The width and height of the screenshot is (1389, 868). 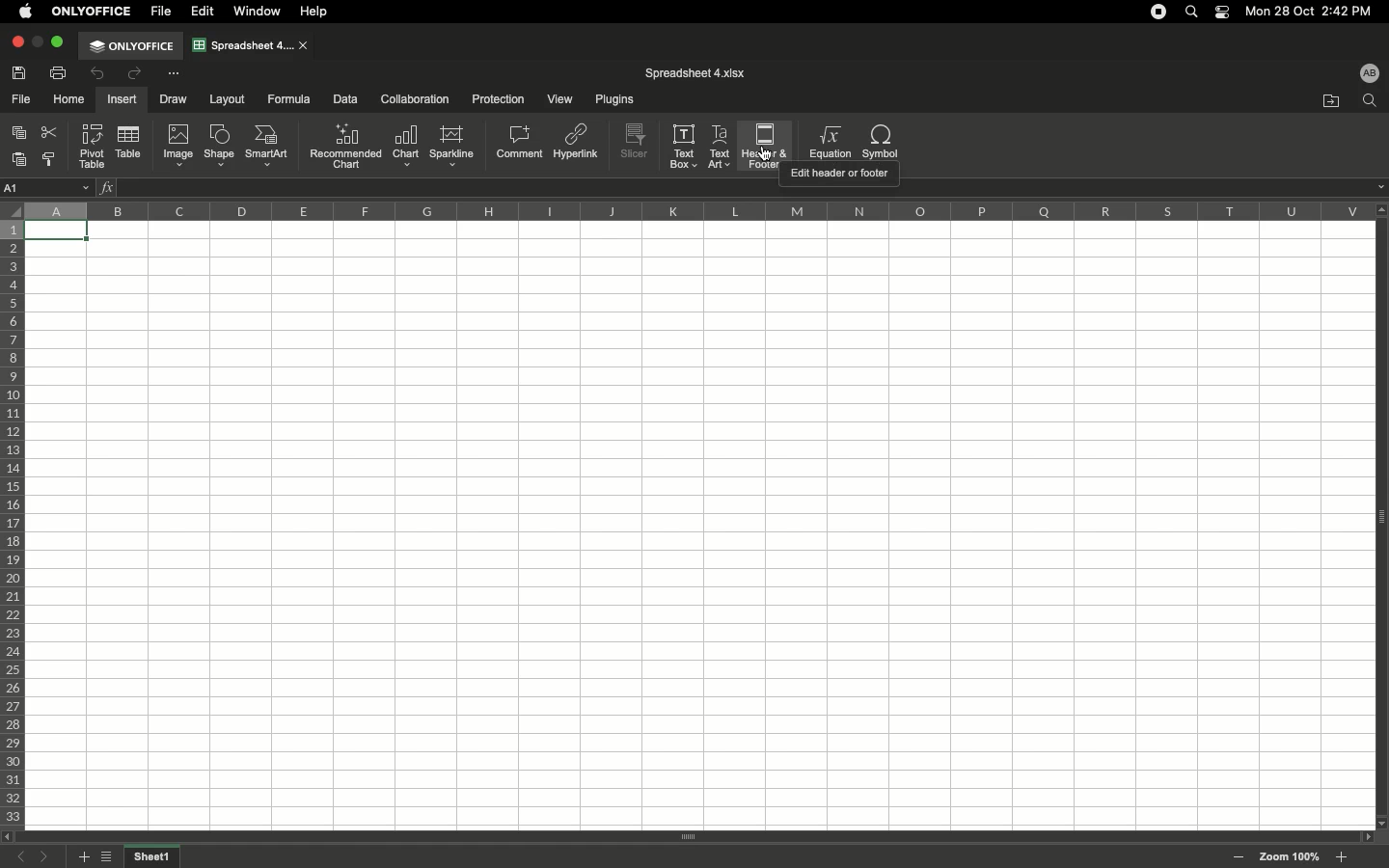 What do you see at coordinates (82, 857) in the screenshot?
I see `Add sheet` at bounding box center [82, 857].